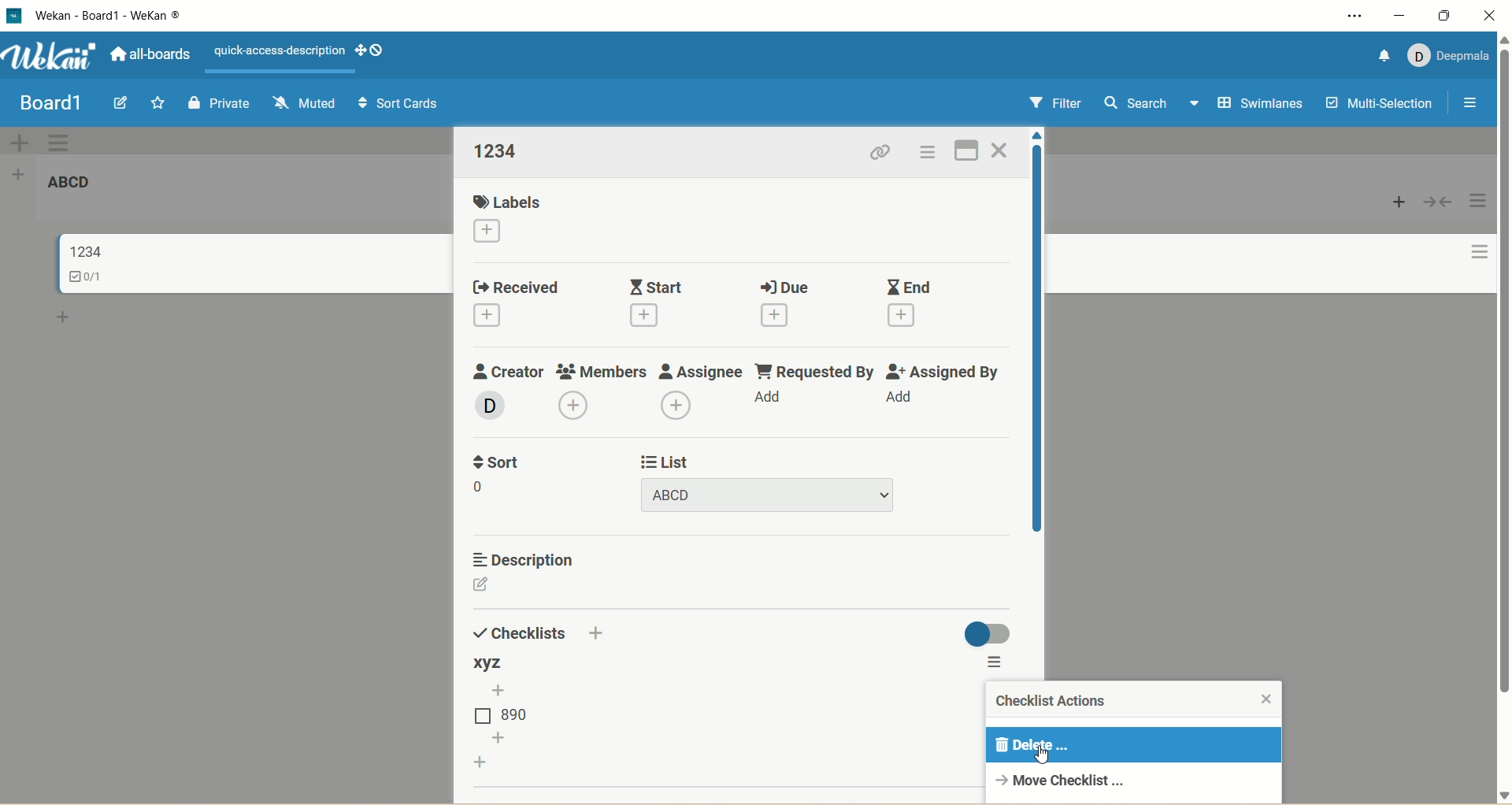 The image size is (1512, 805). What do you see at coordinates (83, 250) in the screenshot?
I see `title` at bounding box center [83, 250].